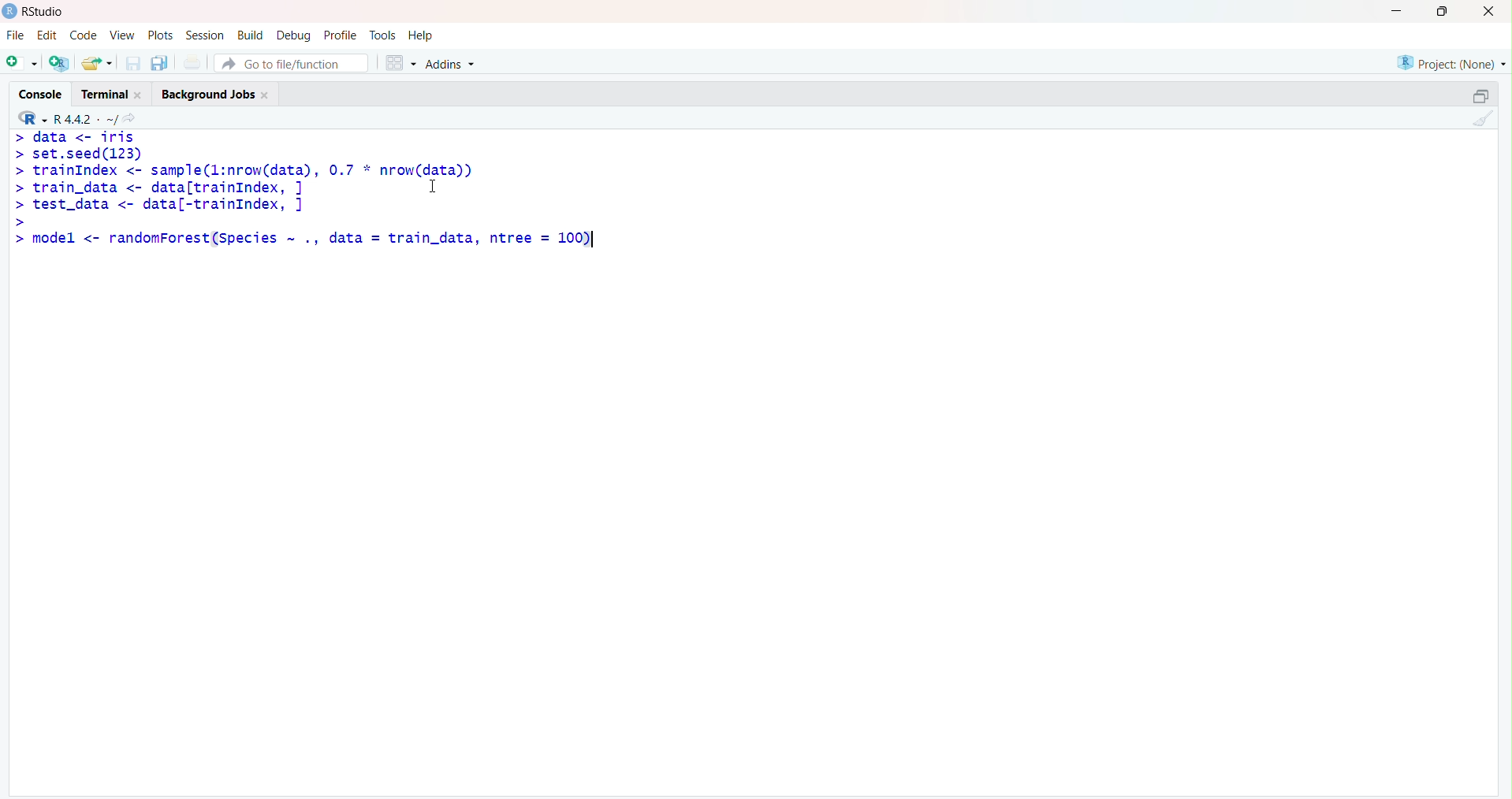 This screenshot has height=799, width=1512. Describe the element at coordinates (18, 156) in the screenshot. I see `Prompt cursor` at that location.